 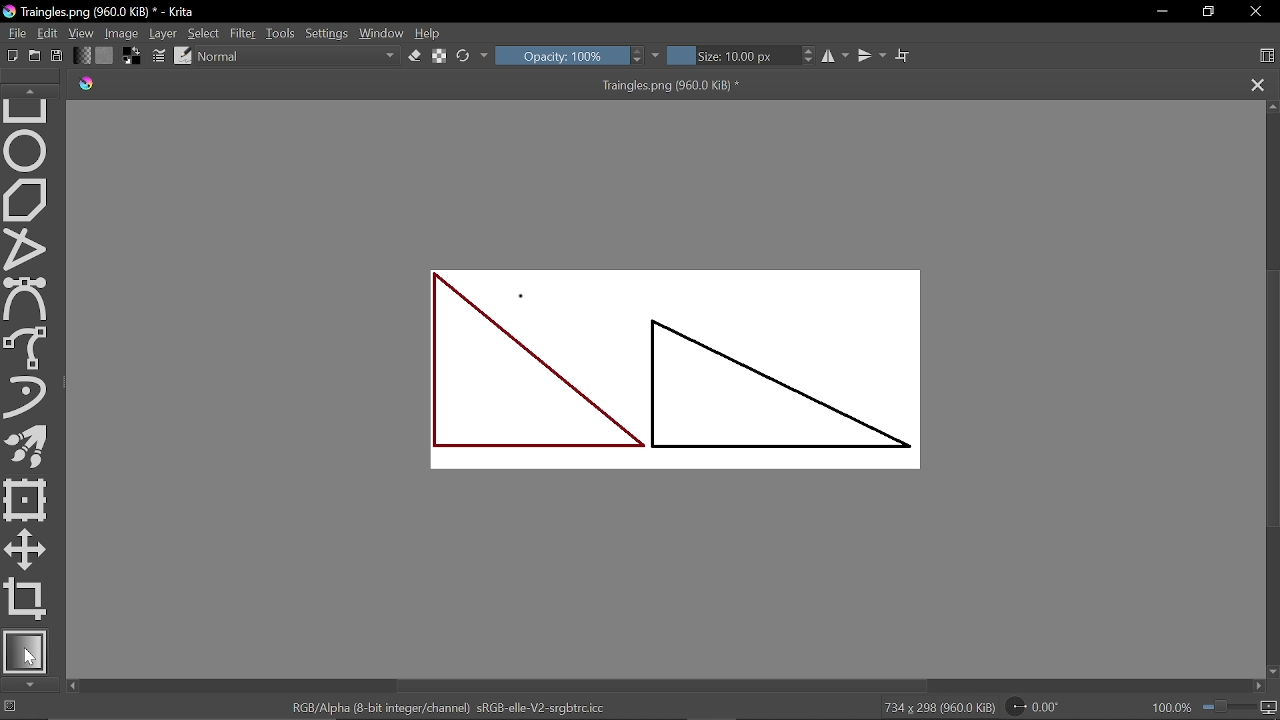 What do you see at coordinates (282, 33) in the screenshot?
I see `Tools` at bounding box center [282, 33].